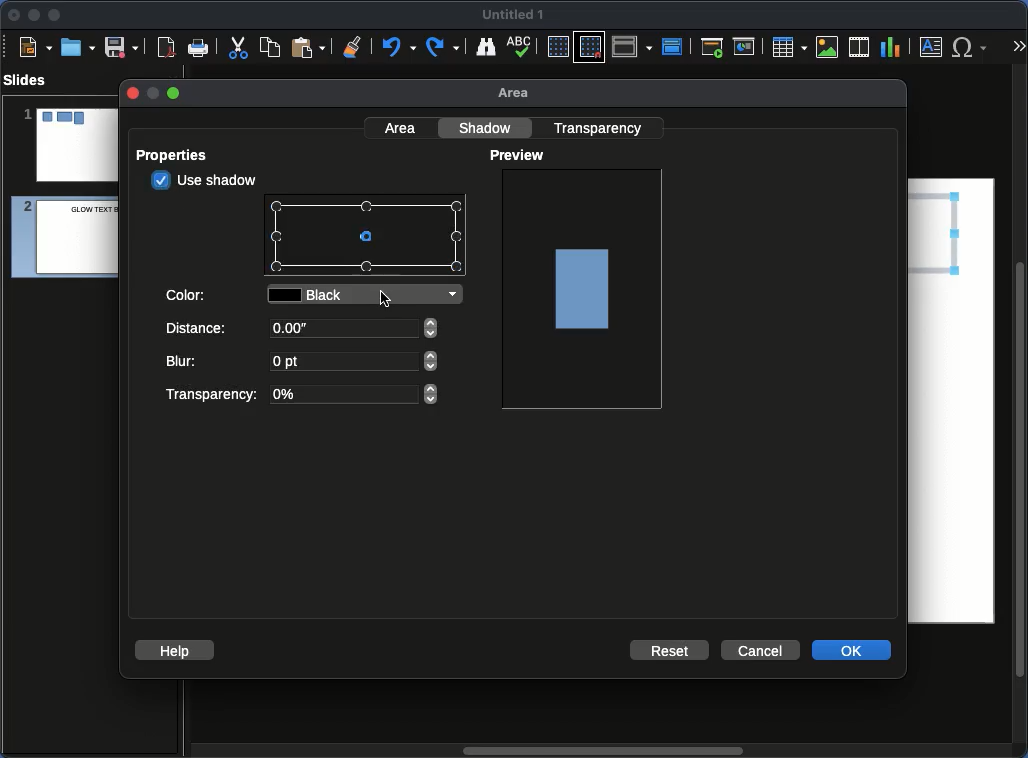 This screenshot has height=758, width=1028. I want to click on Selected, so click(370, 238).